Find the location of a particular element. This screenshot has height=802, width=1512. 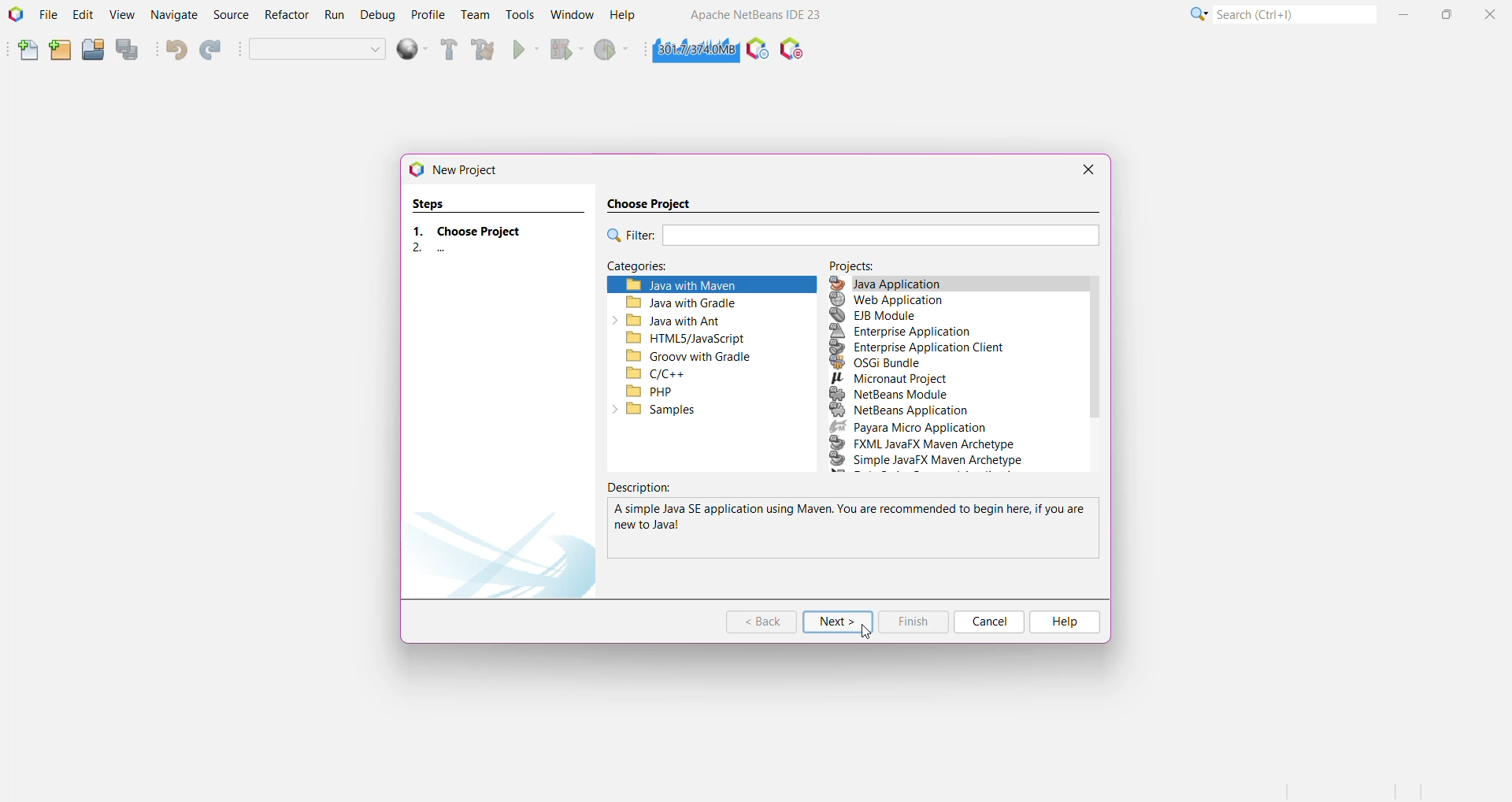

Tools is located at coordinates (520, 16).